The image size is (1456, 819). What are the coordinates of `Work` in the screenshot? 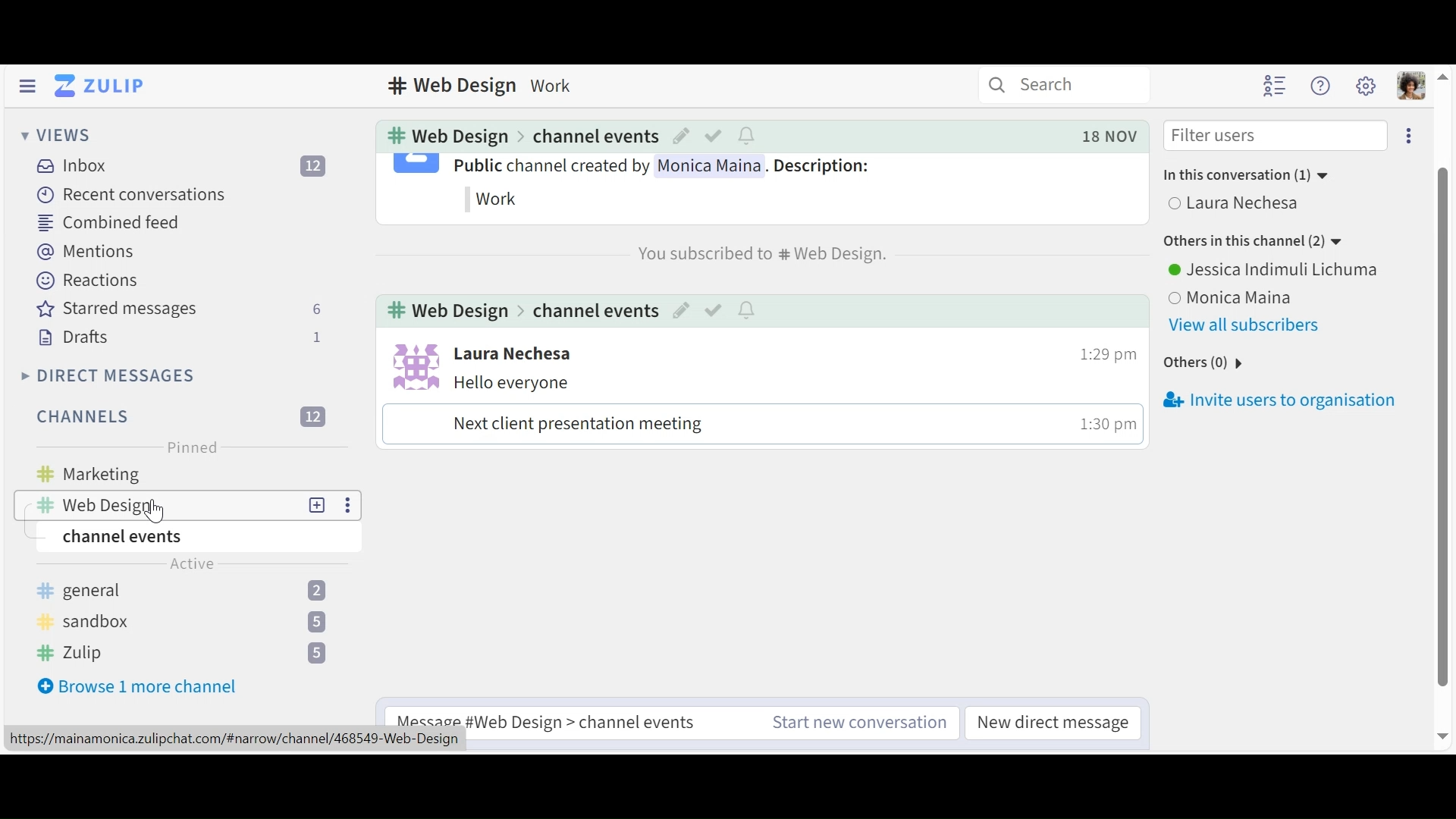 It's located at (498, 198).